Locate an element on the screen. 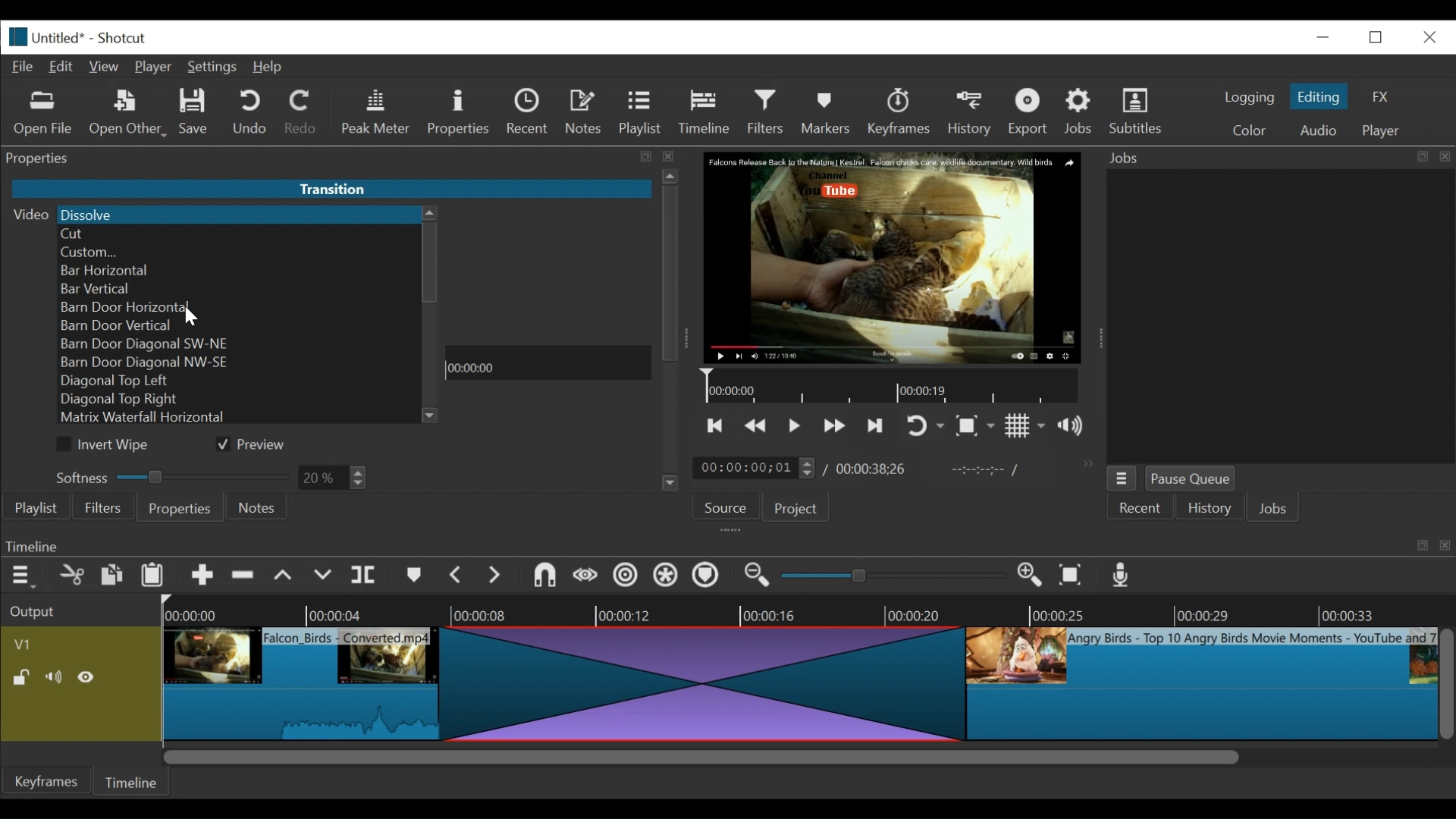 This screenshot has height=819, width=1456. overwrite is located at coordinates (325, 576).